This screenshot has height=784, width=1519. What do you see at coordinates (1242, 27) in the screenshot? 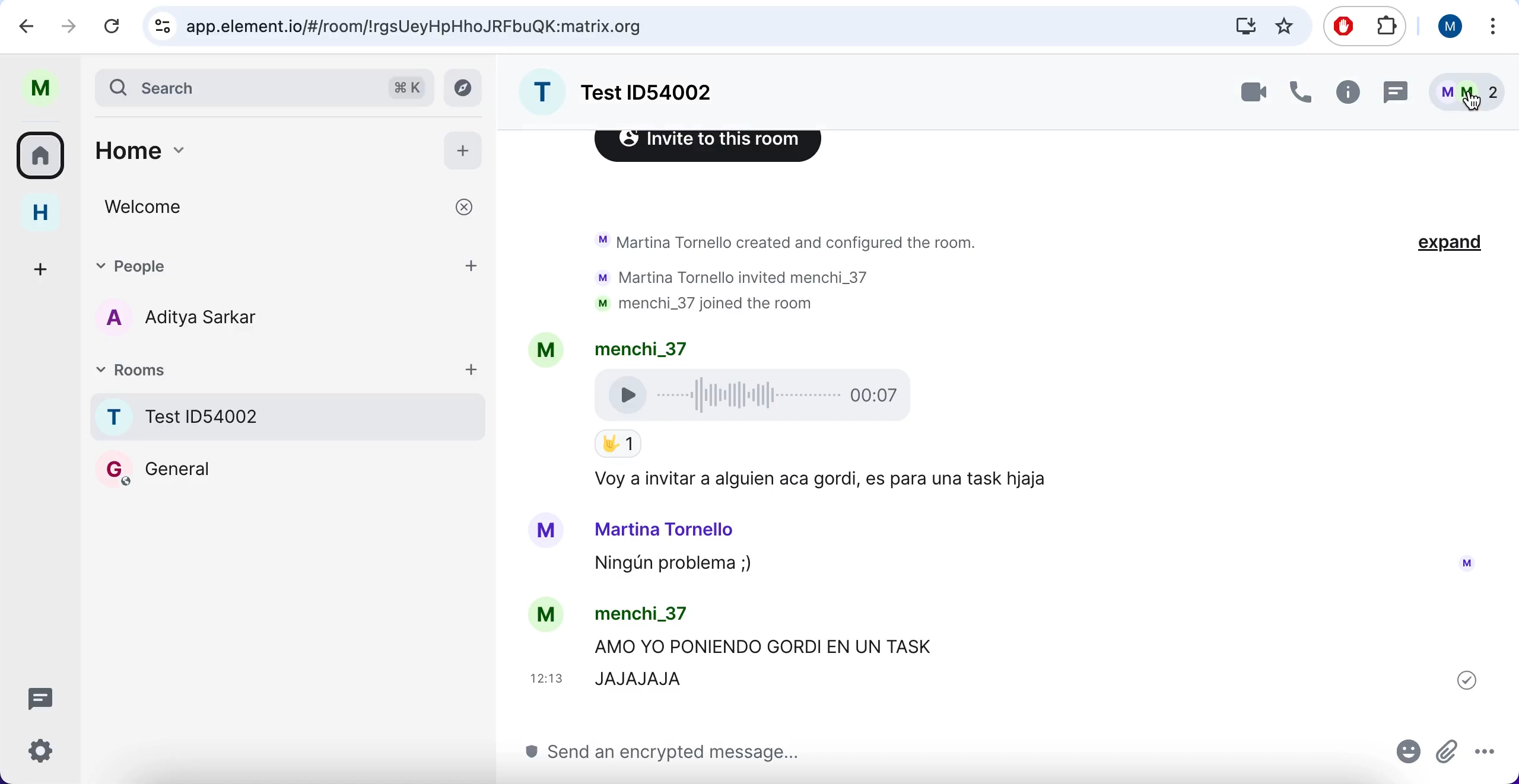
I see `donwloads` at bounding box center [1242, 27].